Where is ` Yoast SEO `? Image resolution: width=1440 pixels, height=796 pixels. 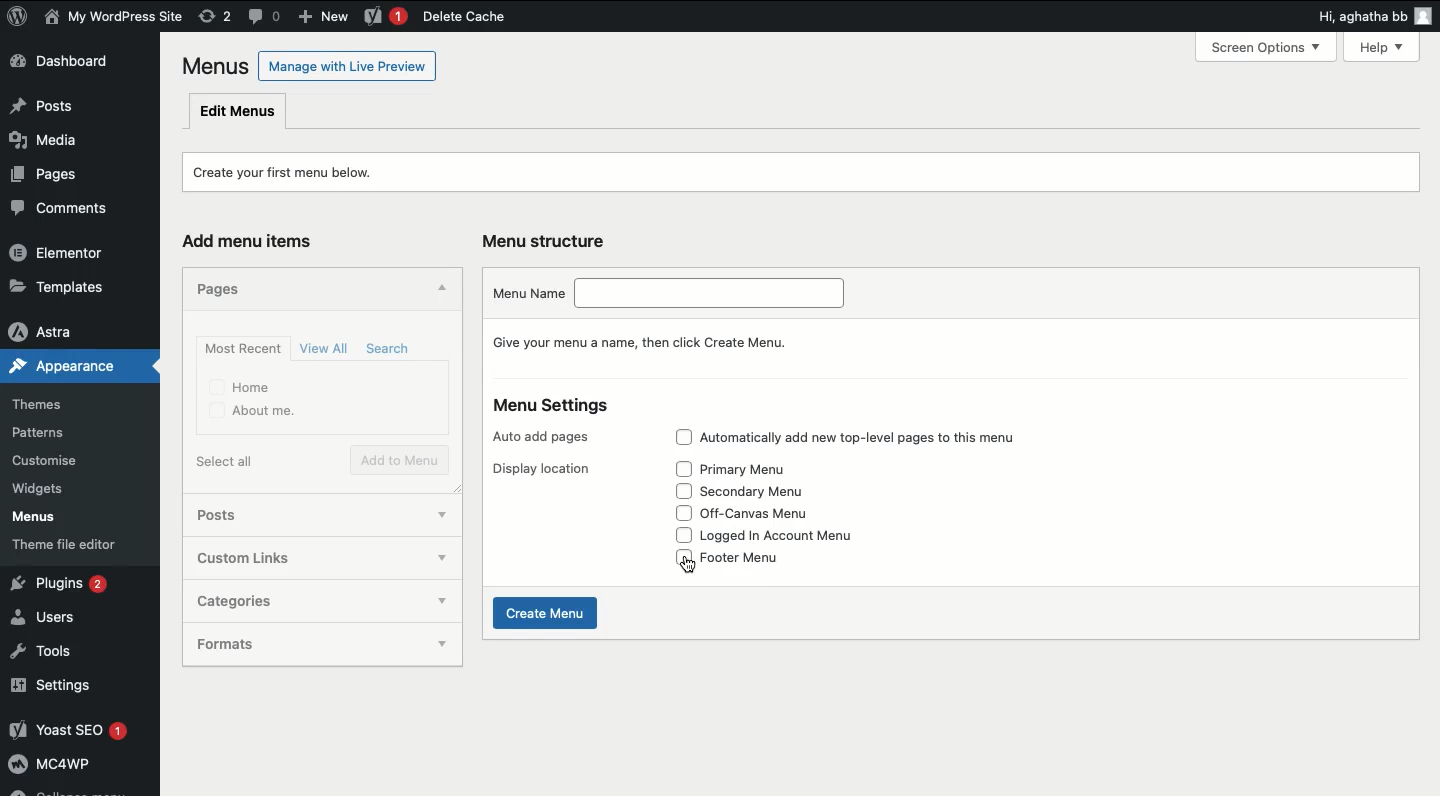
 Yoast SEO  is located at coordinates (78, 731).